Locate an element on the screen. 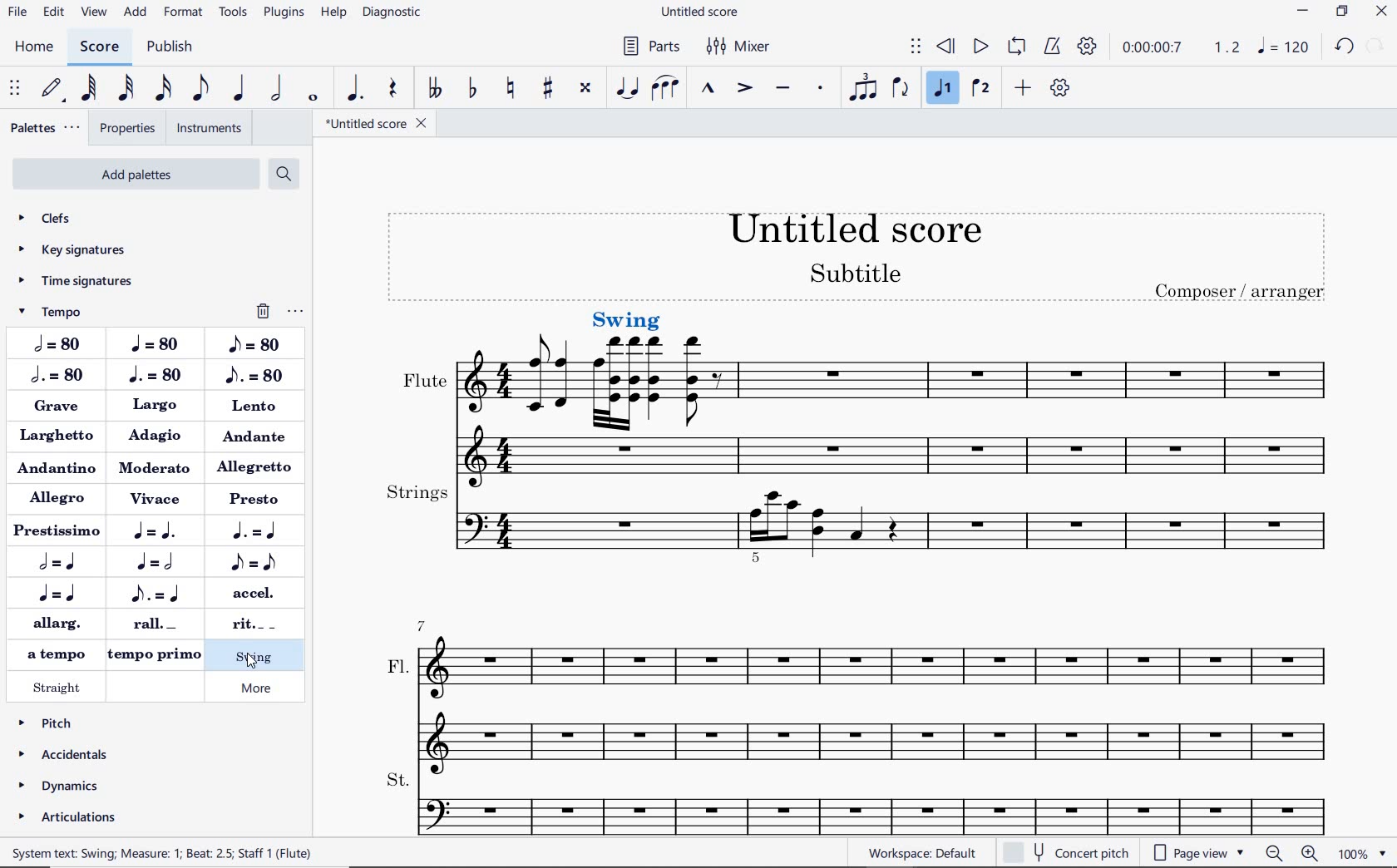 The width and height of the screenshot is (1397, 868). PLAYBACK SETTINGS is located at coordinates (1088, 47).